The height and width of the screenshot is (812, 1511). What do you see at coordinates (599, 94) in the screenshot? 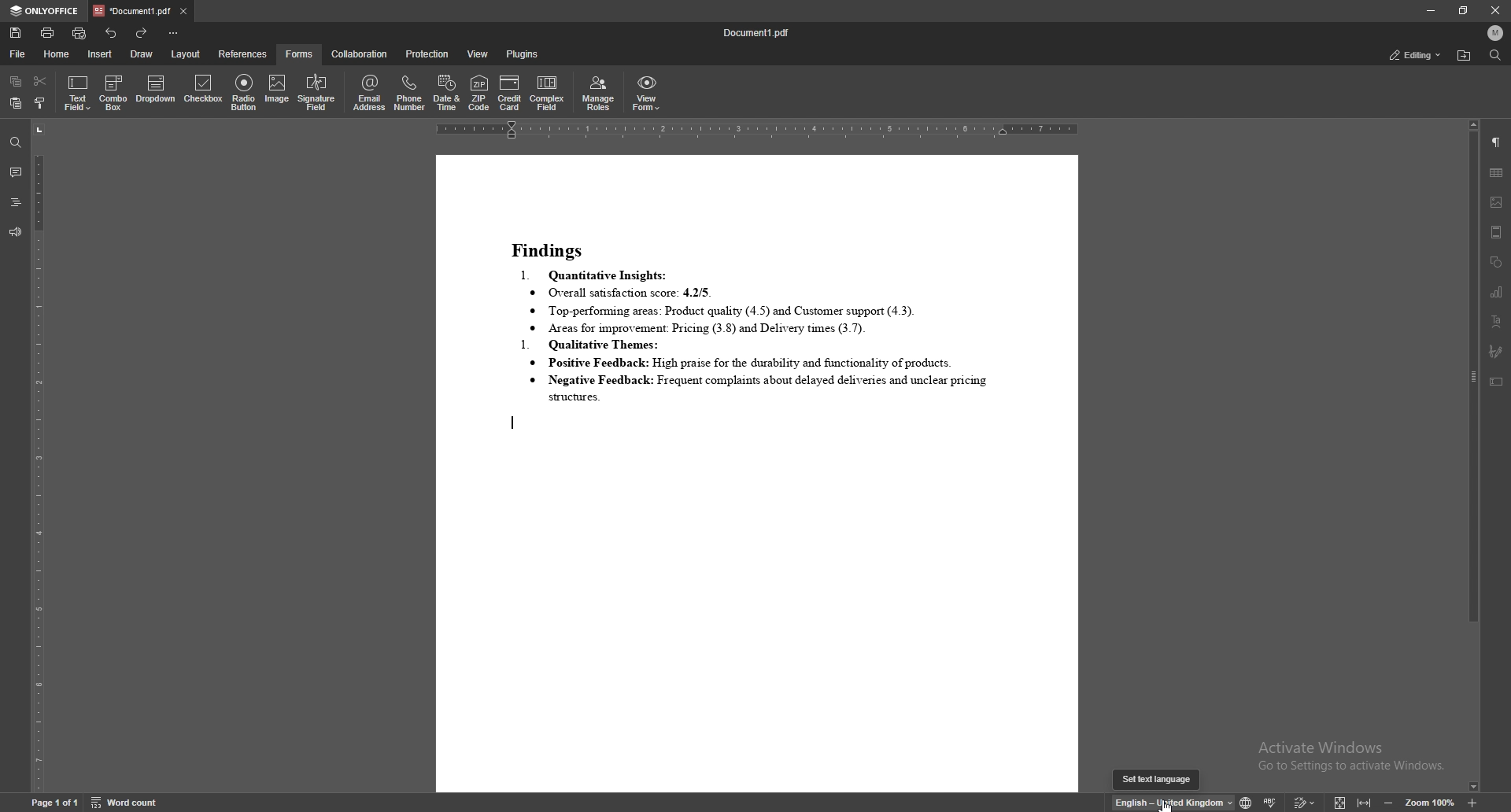
I see `manage roles` at bounding box center [599, 94].